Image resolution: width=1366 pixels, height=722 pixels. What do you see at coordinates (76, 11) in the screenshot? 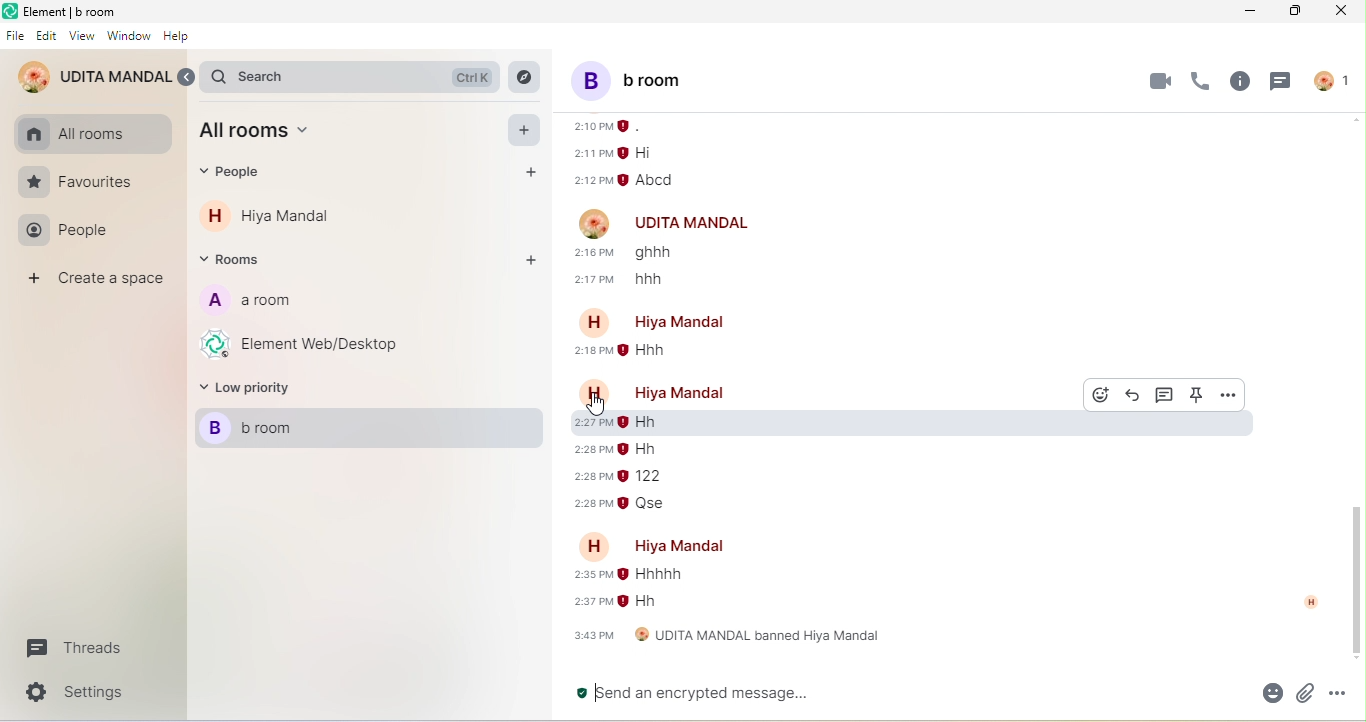
I see `element b room` at bounding box center [76, 11].